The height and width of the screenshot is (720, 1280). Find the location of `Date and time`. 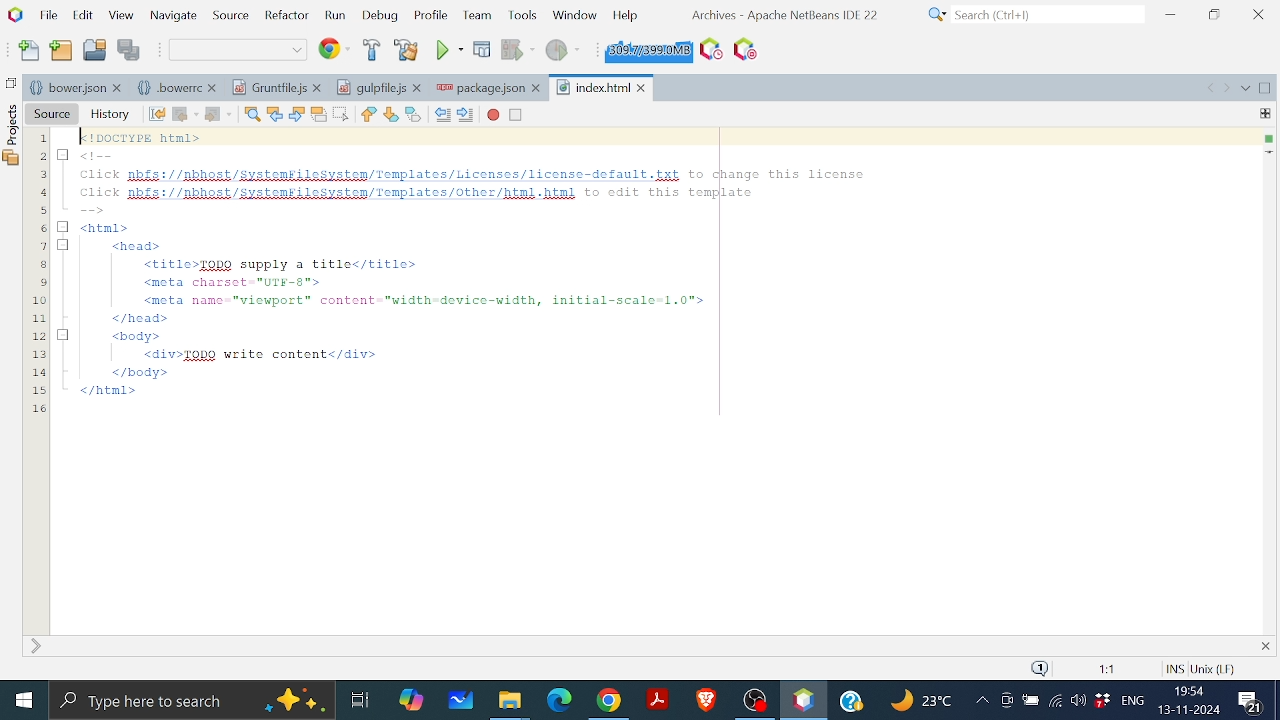

Date and time is located at coordinates (1188, 700).